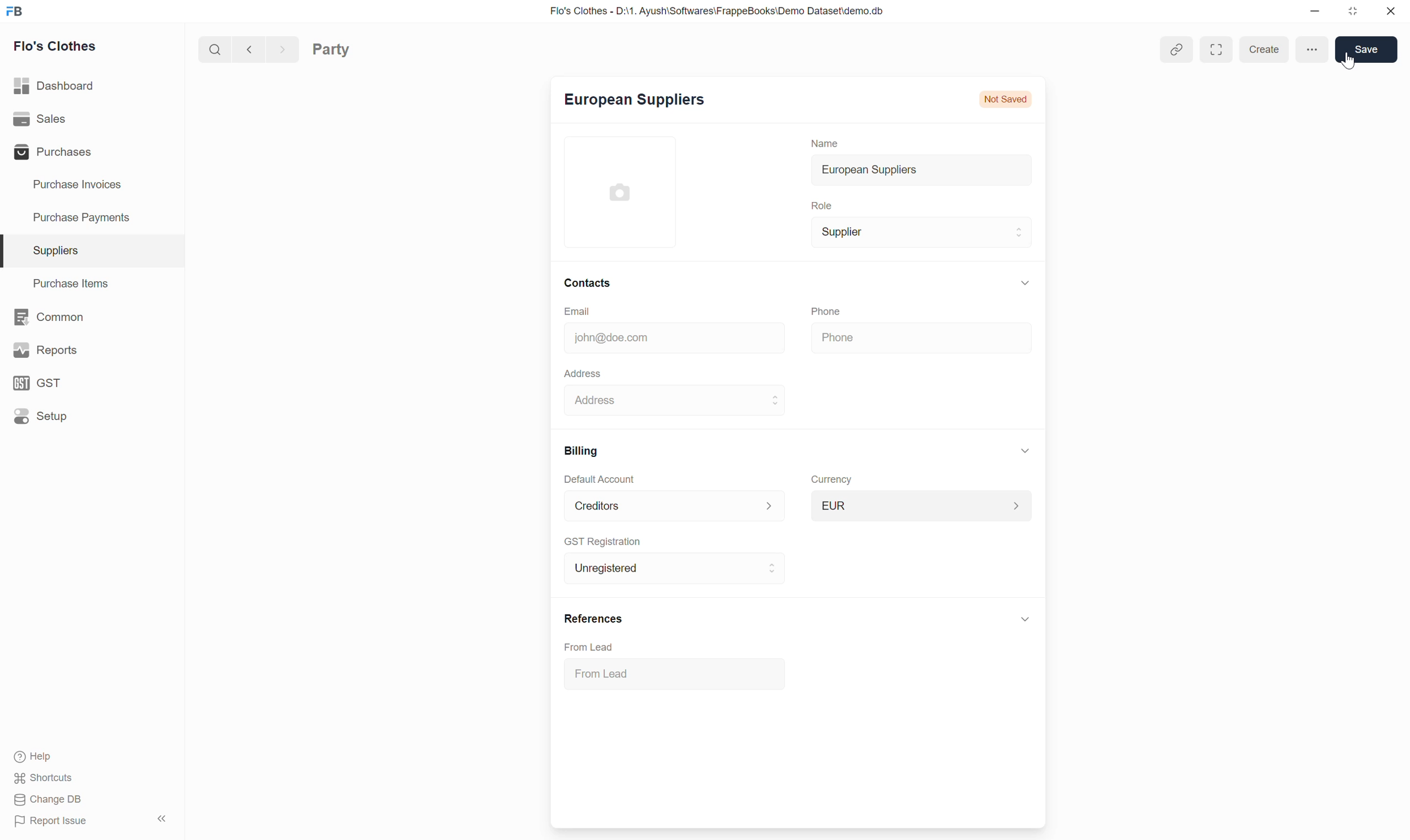 The image size is (1410, 840). Describe the element at coordinates (36, 383) in the screenshot. I see `gst` at that location.